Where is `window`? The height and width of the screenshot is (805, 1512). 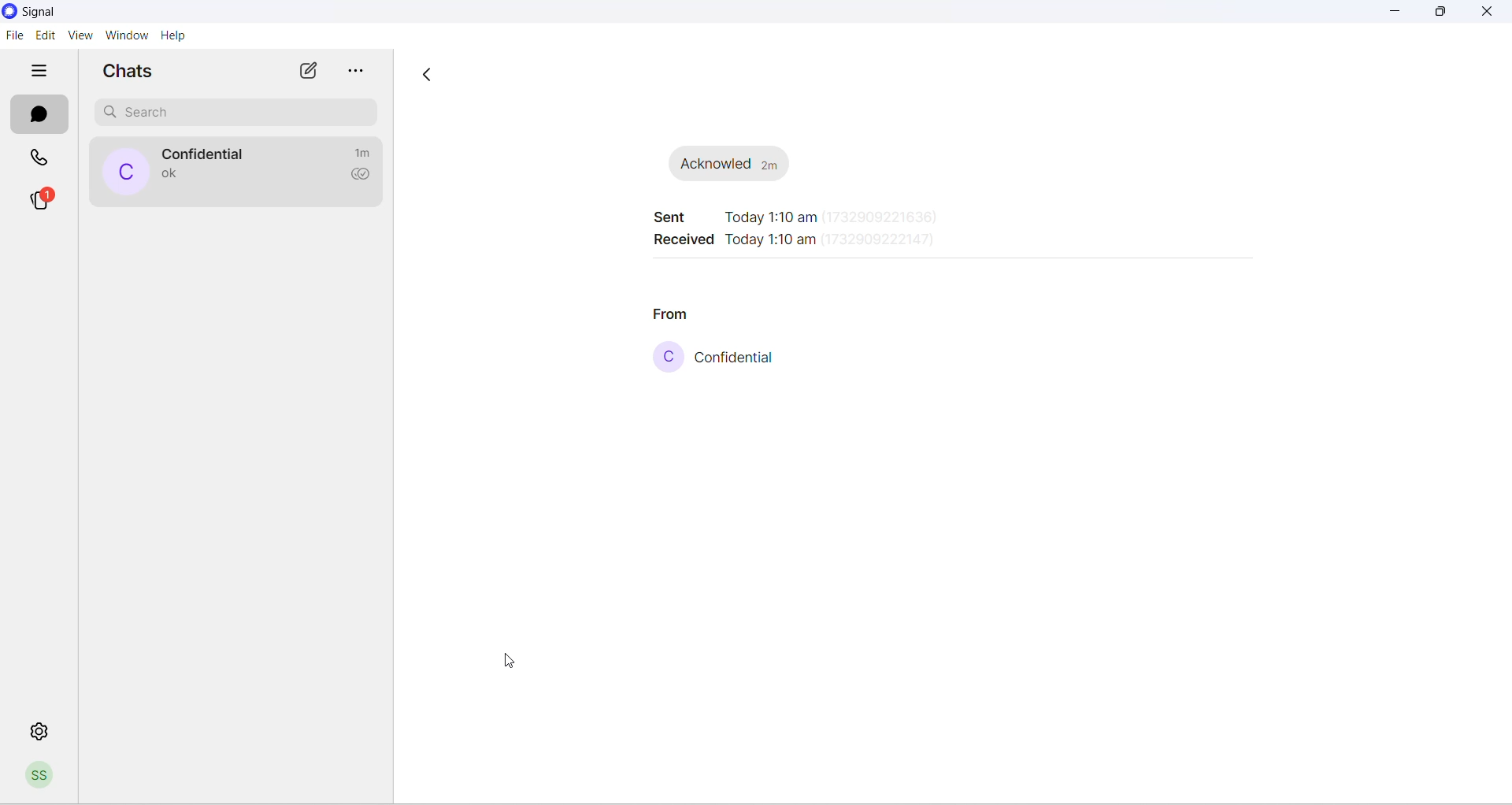 window is located at coordinates (128, 35).